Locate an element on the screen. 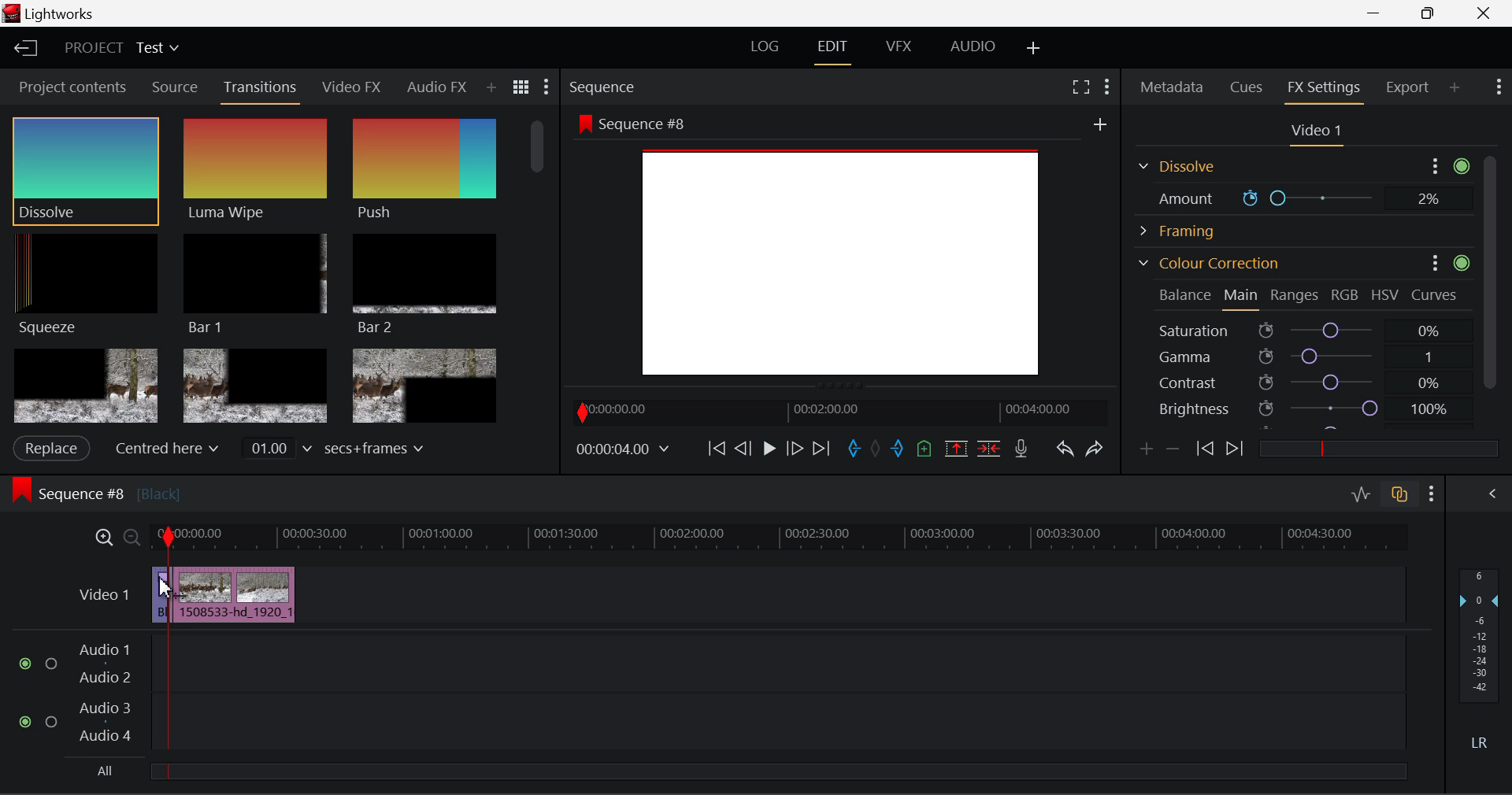 This screenshot has height=795, width=1512. Ranges is located at coordinates (1291, 295).